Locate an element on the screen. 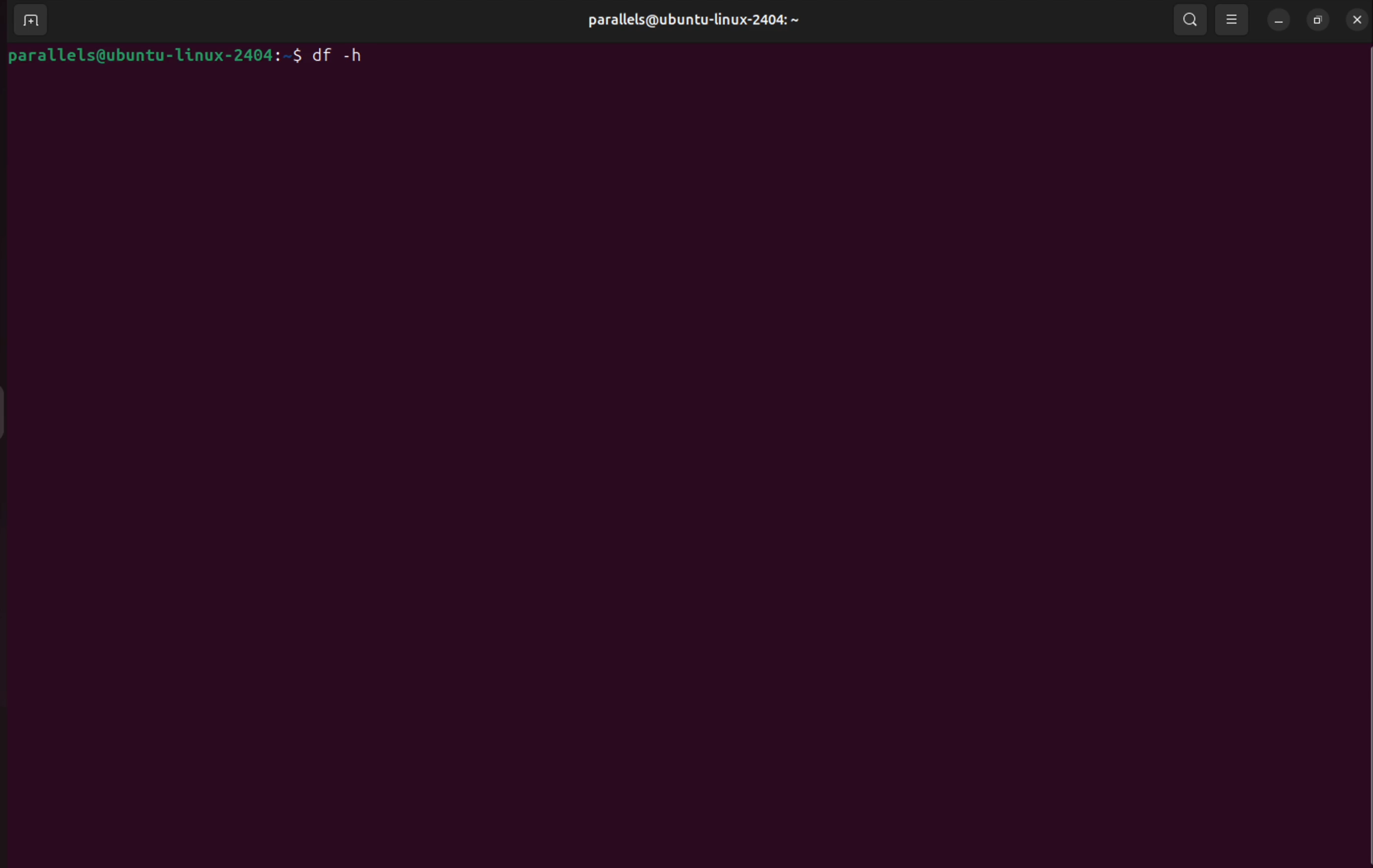 The height and width of the screenshot is (868, 1373). search  is located at coordinates (1189, 19).